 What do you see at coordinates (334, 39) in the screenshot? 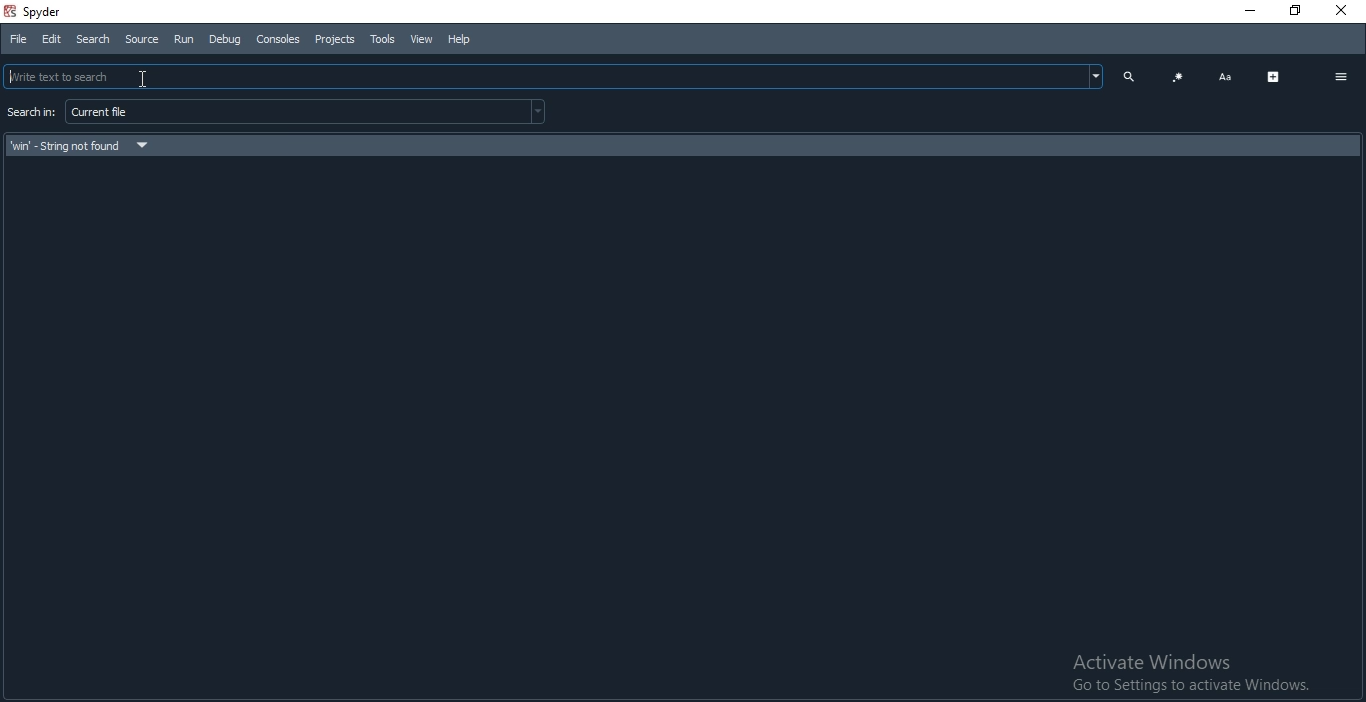
I see `Projects` at bounding box center [334, 39].